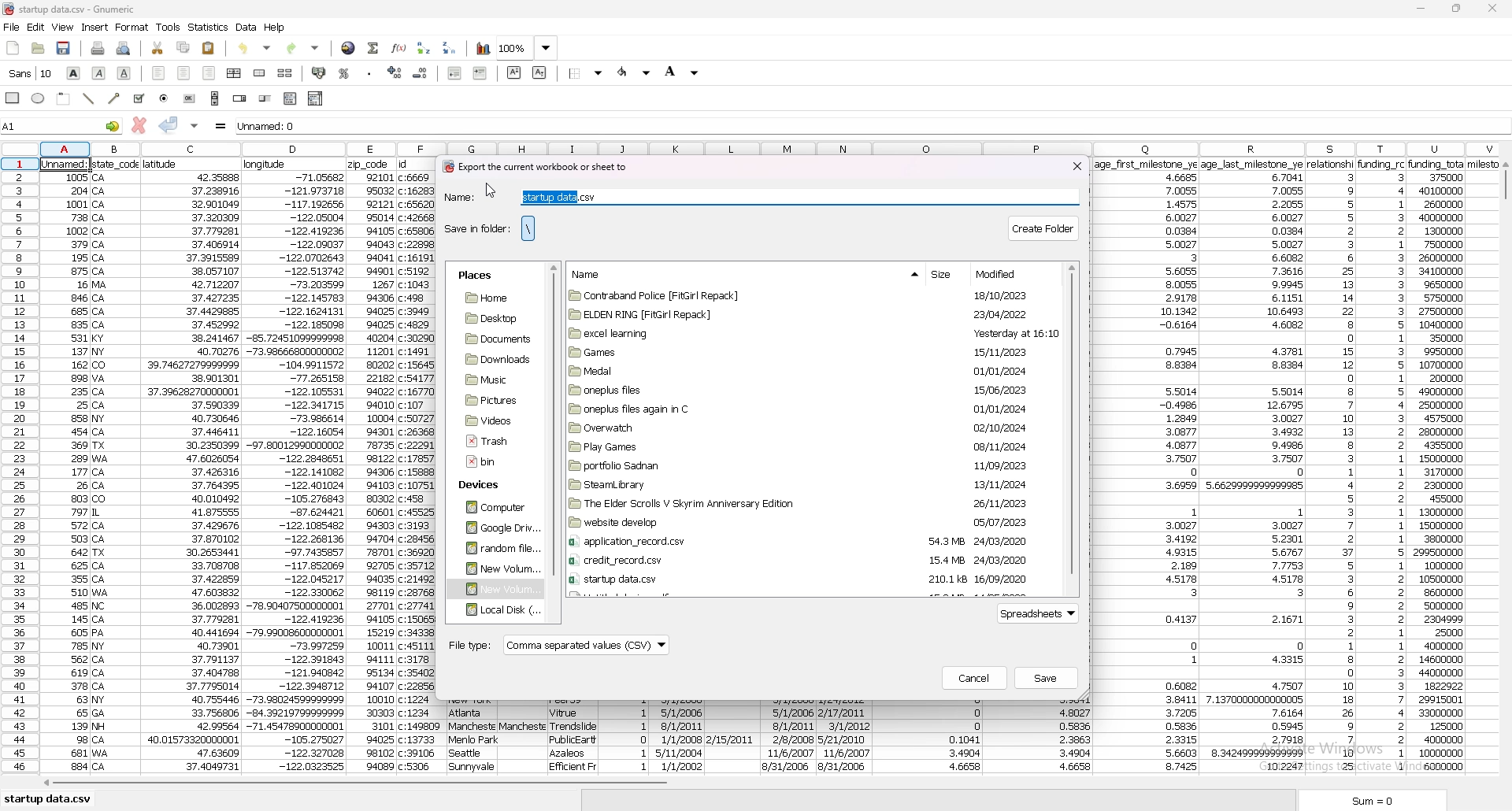 This screenshot has height=811, width=1512. I want to click on folder, so click(812, 333).